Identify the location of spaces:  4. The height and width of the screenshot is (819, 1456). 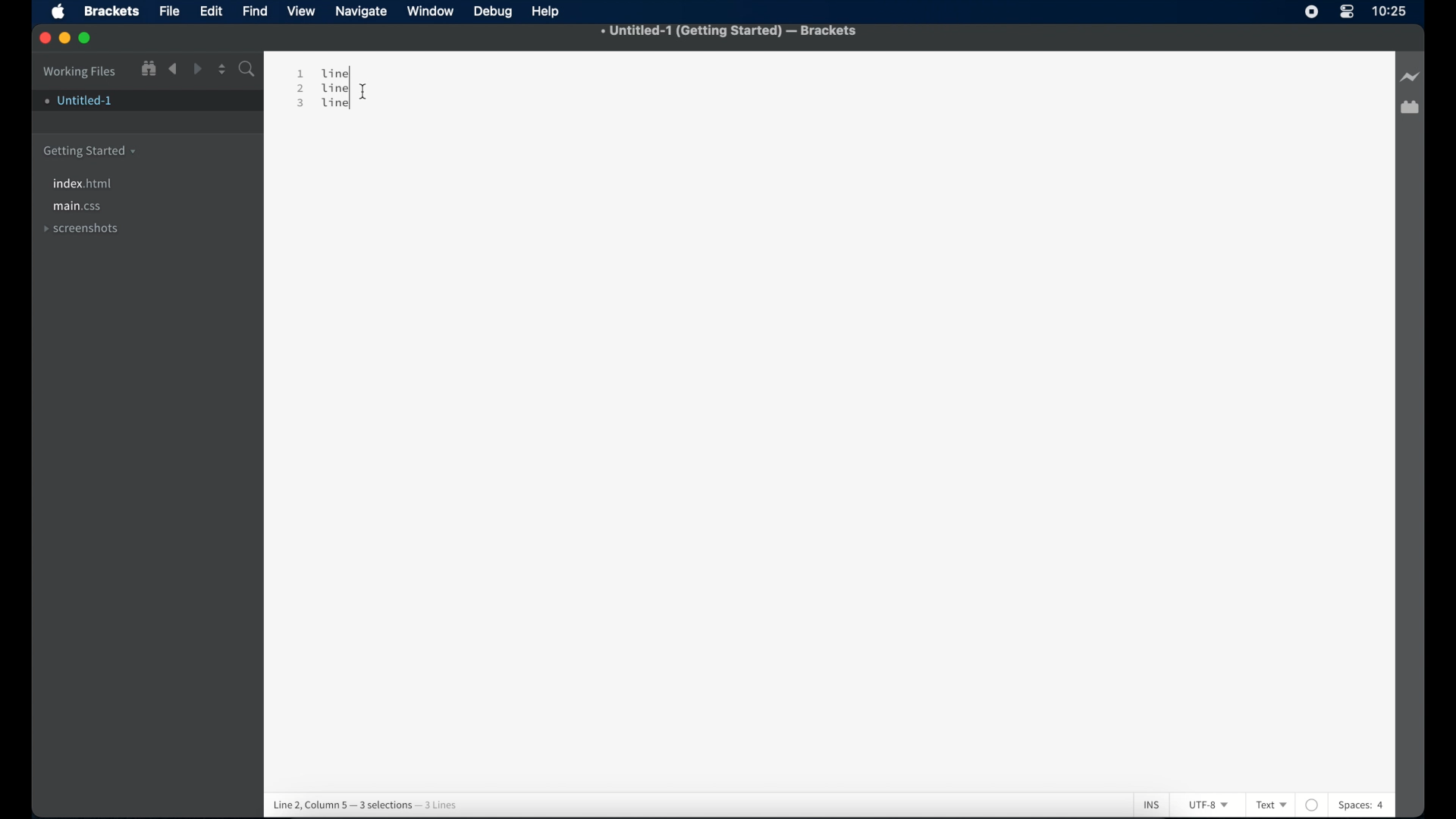
(1367, 799).